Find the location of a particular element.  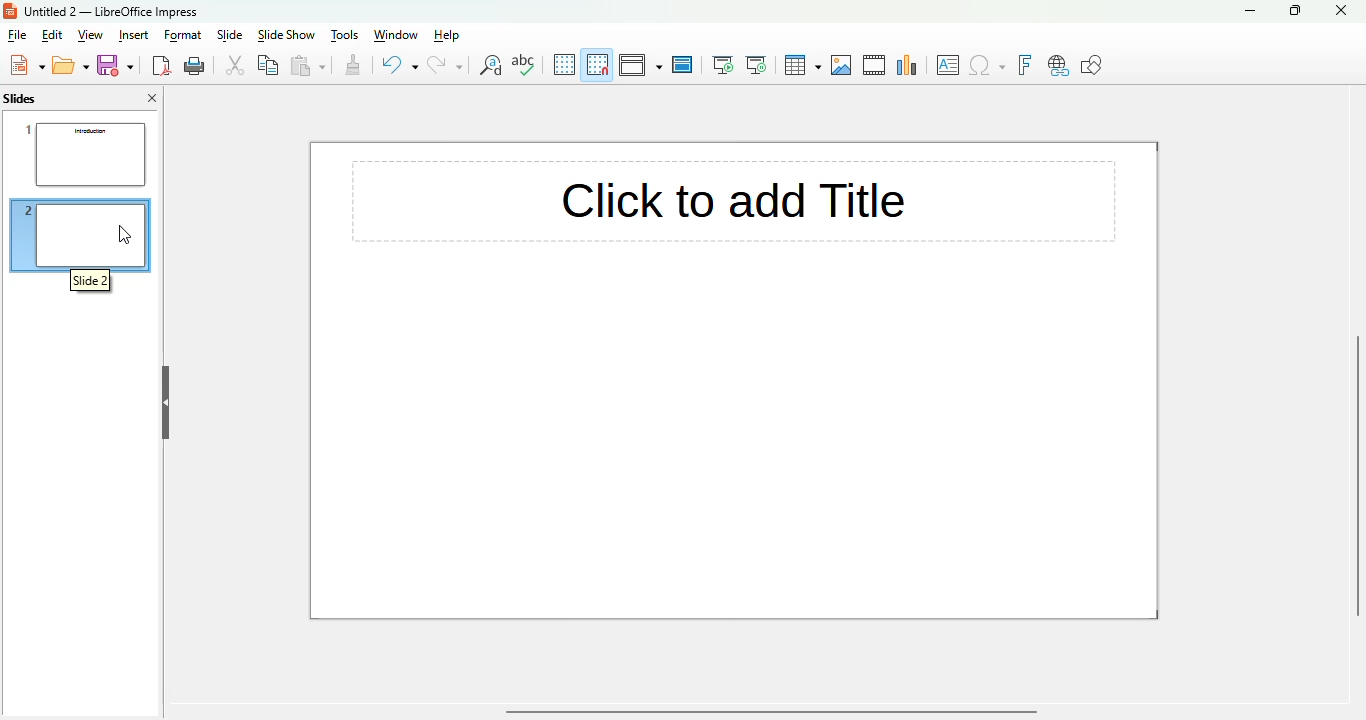

print is located at coordinates (195, 66).